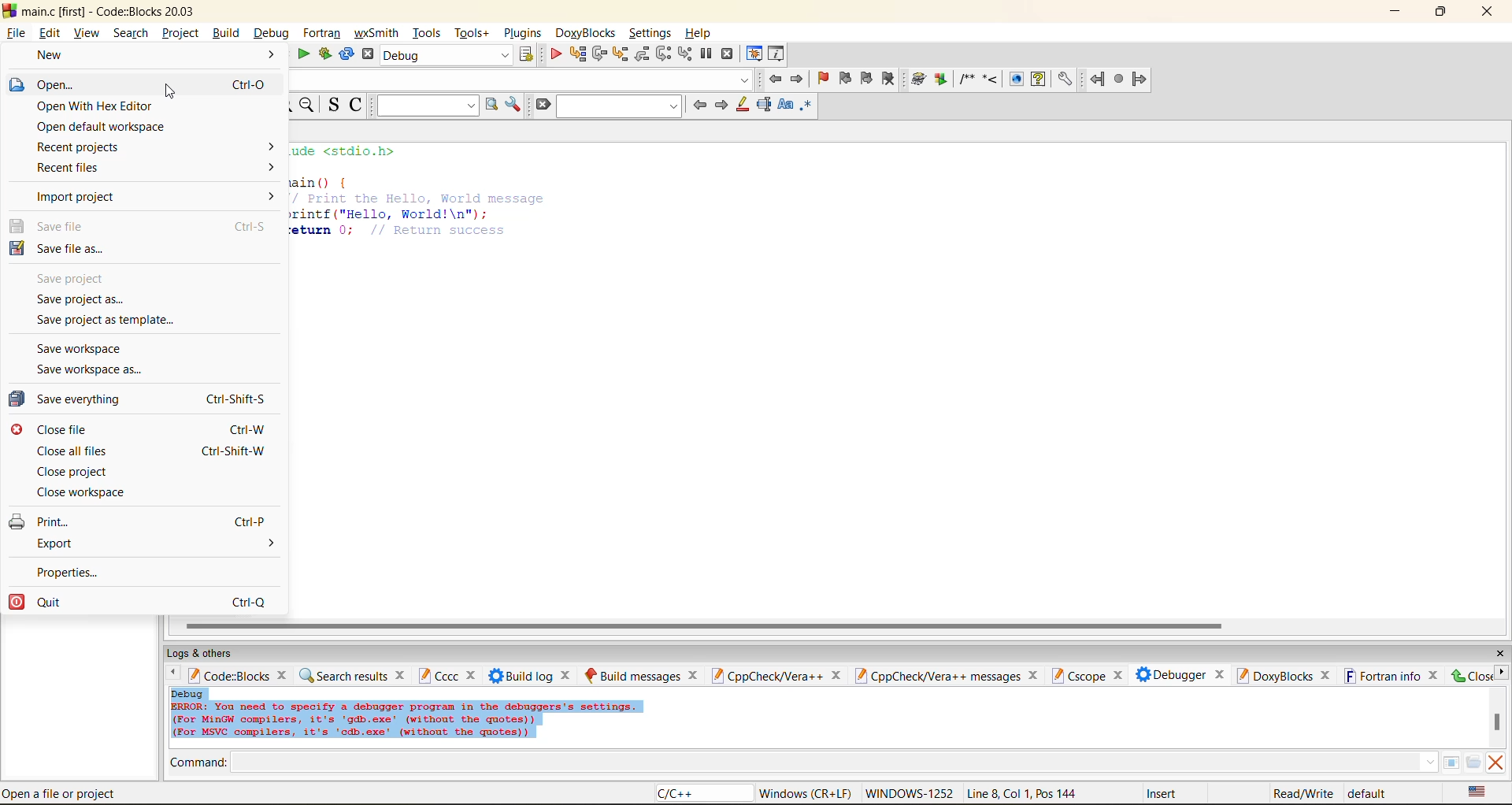 The image size is (1512, 805). Describe the element at coordinates (402, 674) in the screenshot. I see `close` at that location.